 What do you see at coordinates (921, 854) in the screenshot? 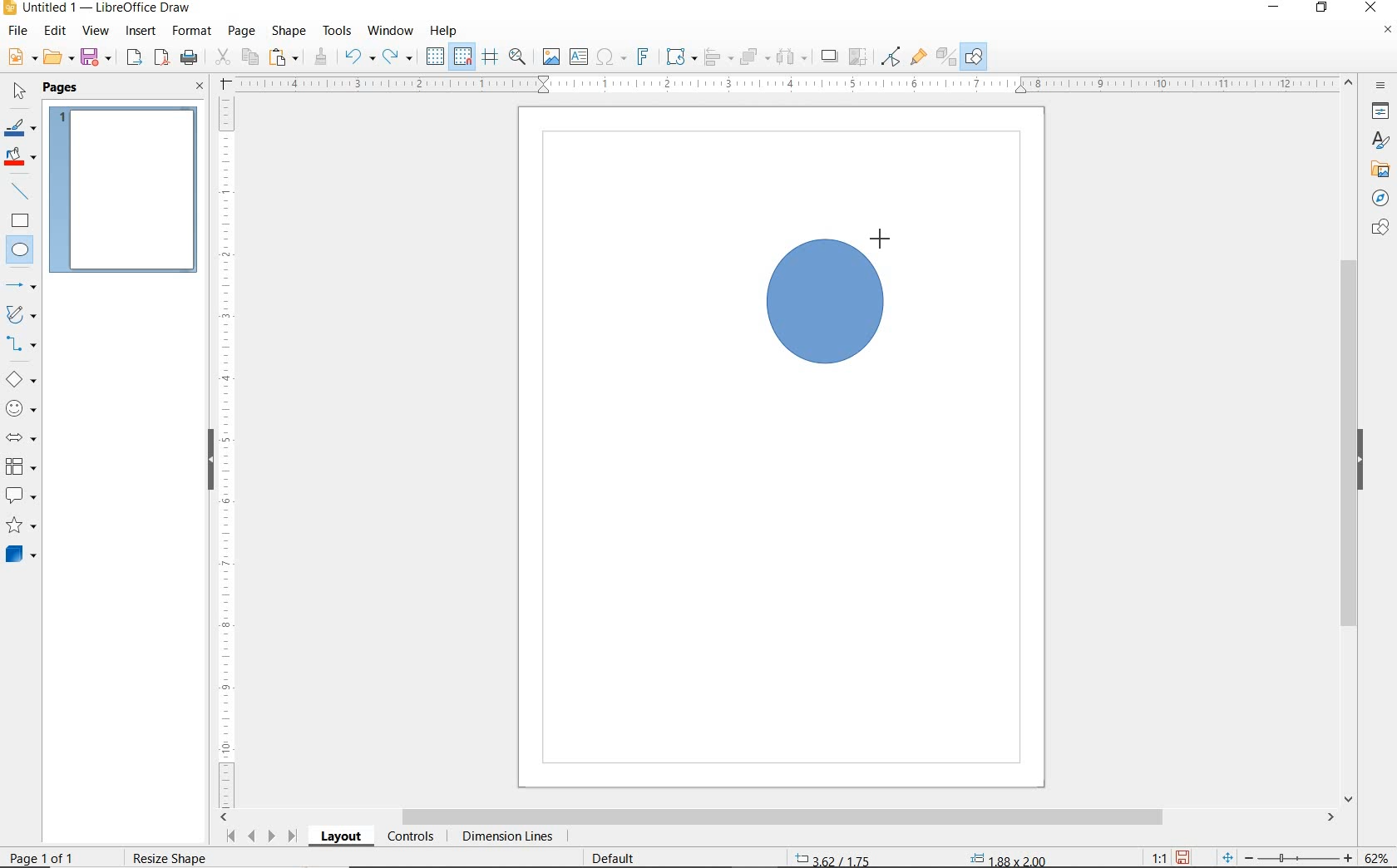
I see `STANDARD SELECTION` at bounding box center [921, 854].